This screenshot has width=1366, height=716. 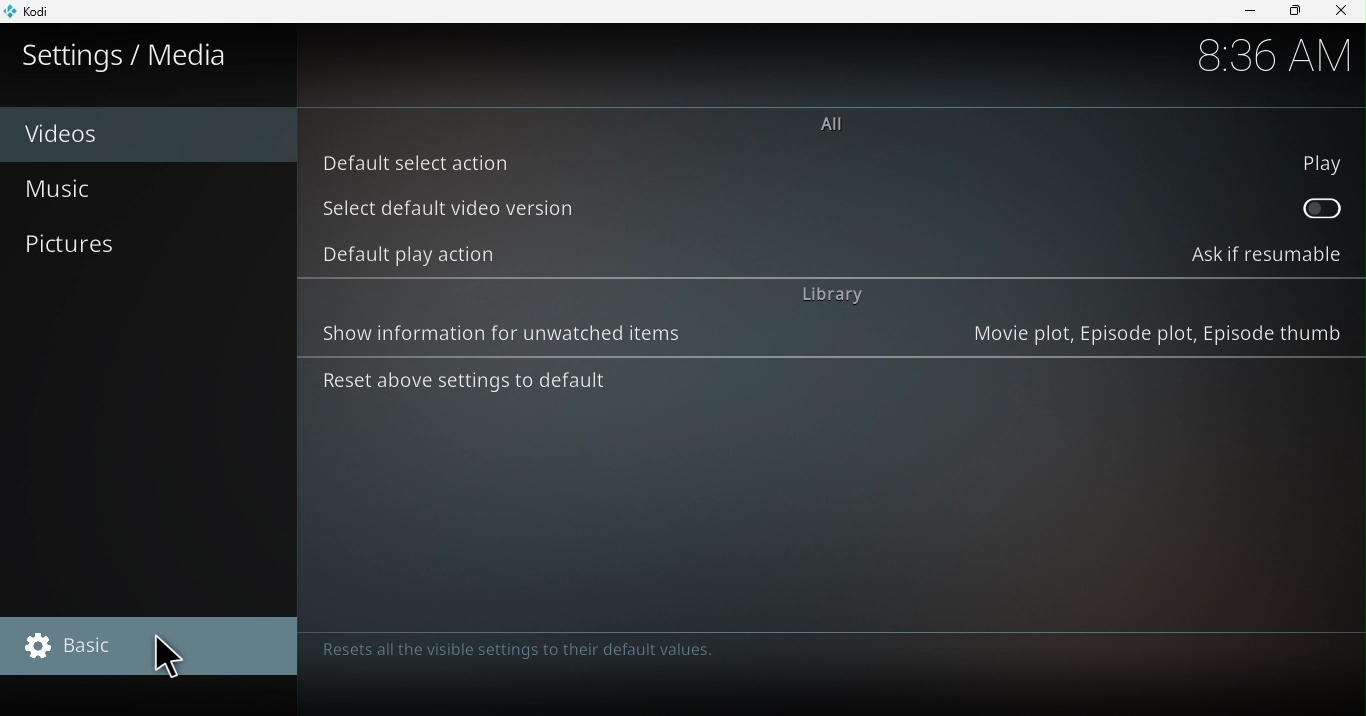 I want to click on All, so click(x=837, y=124).